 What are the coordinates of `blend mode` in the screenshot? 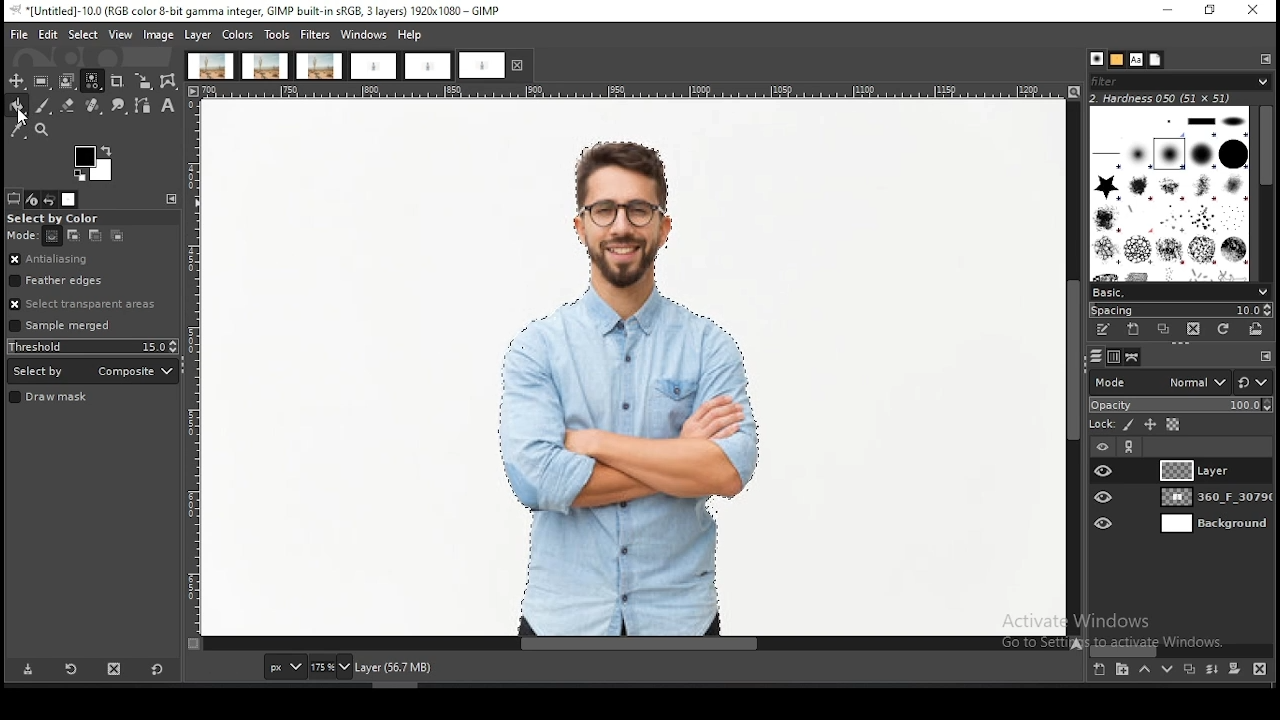 It's located at (1159, 382).